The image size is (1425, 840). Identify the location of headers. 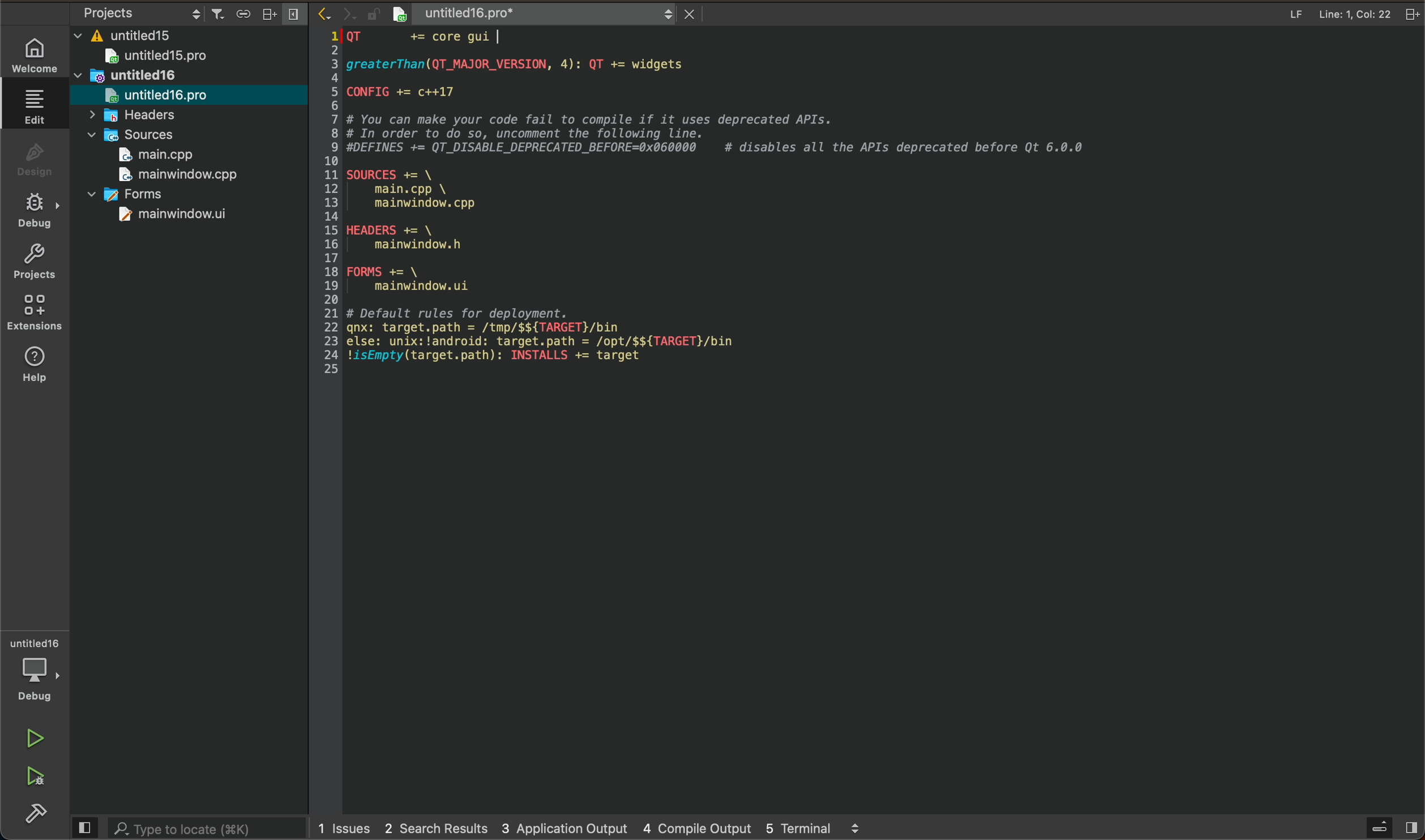
(144, 116).